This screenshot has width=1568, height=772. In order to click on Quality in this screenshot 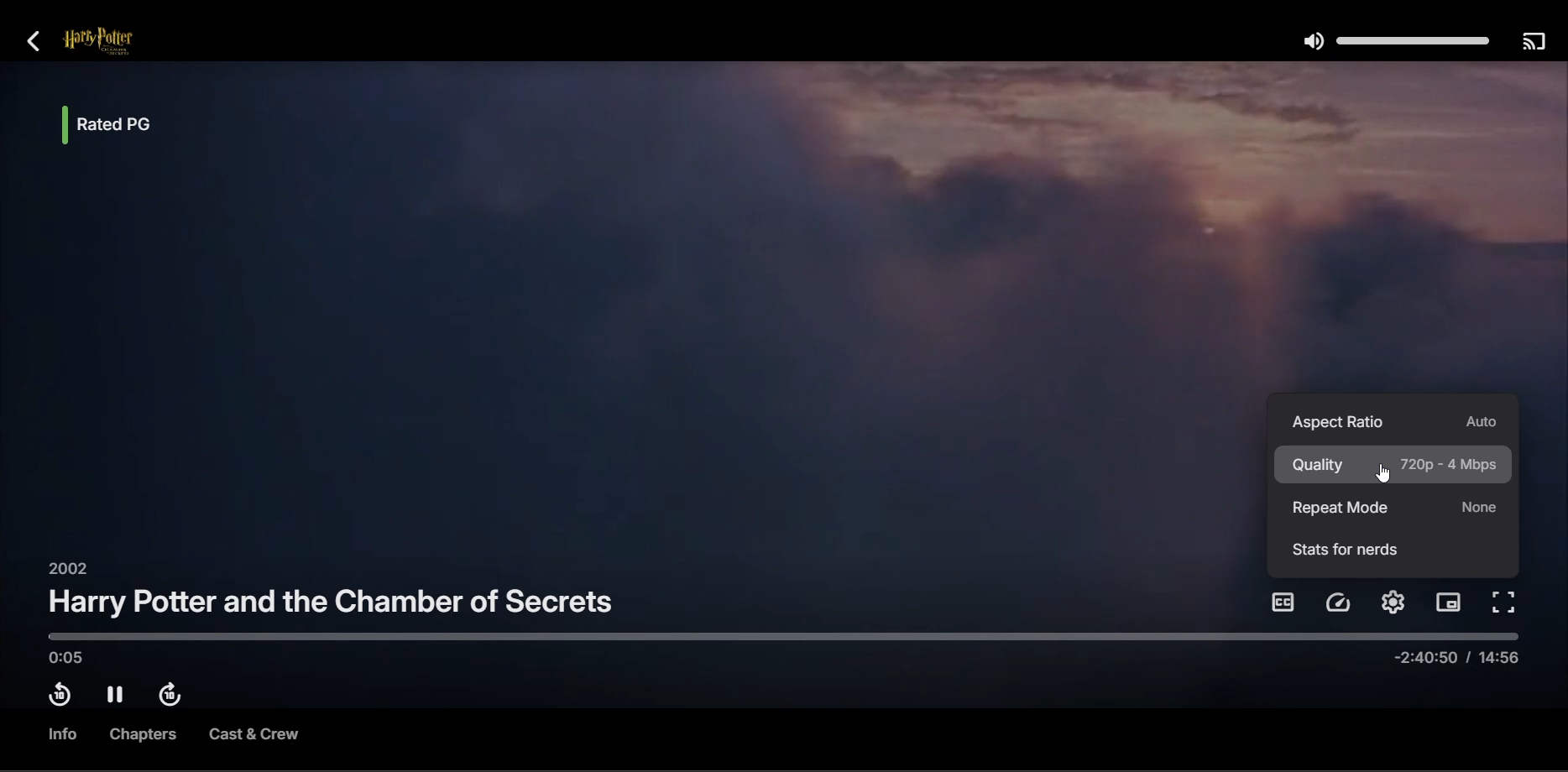, I will do `click(1394, 465)`.